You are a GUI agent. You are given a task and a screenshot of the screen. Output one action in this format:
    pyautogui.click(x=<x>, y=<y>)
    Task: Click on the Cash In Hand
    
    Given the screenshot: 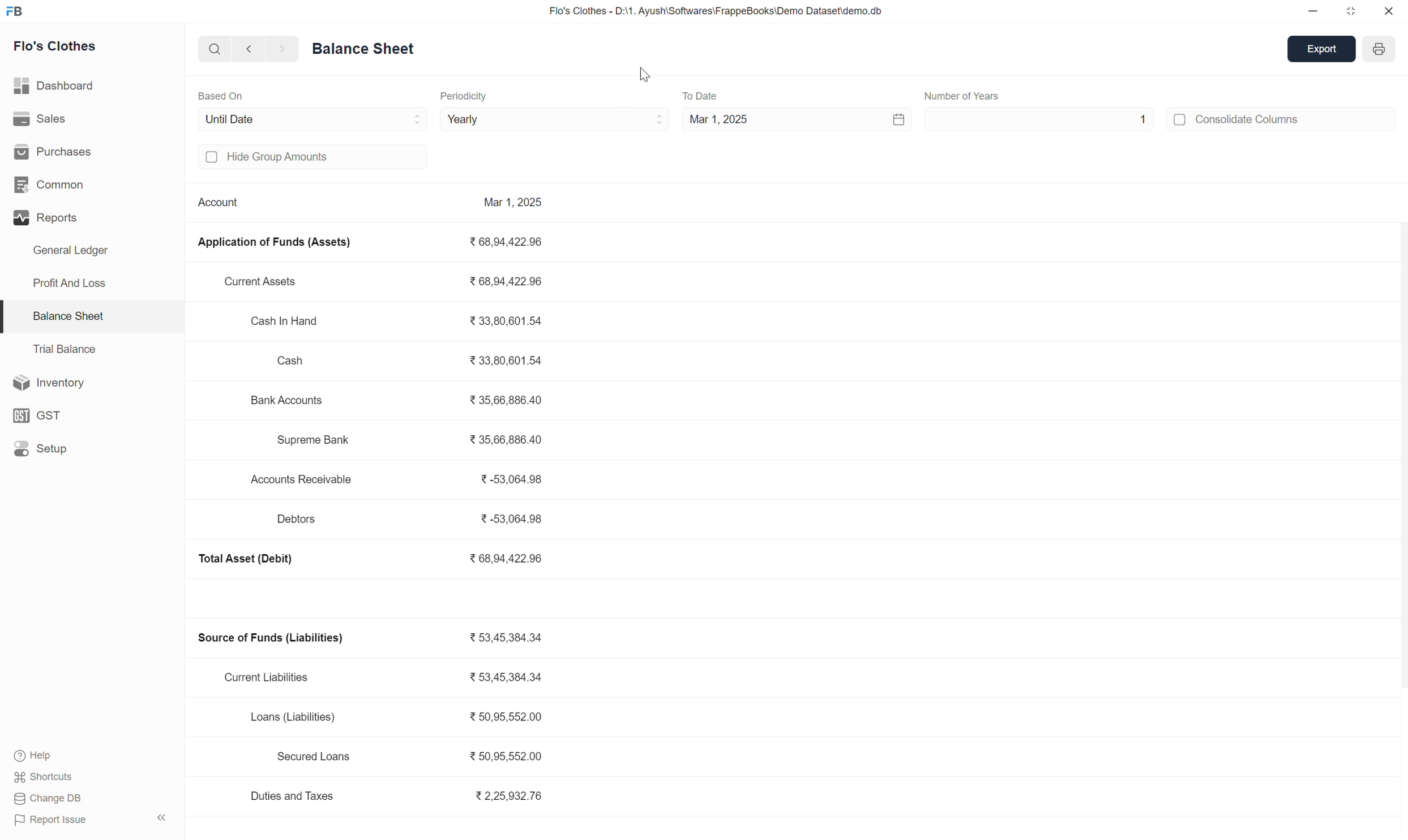 What is the action you would take?
    pyautogui.click(x=294, y=321)
    